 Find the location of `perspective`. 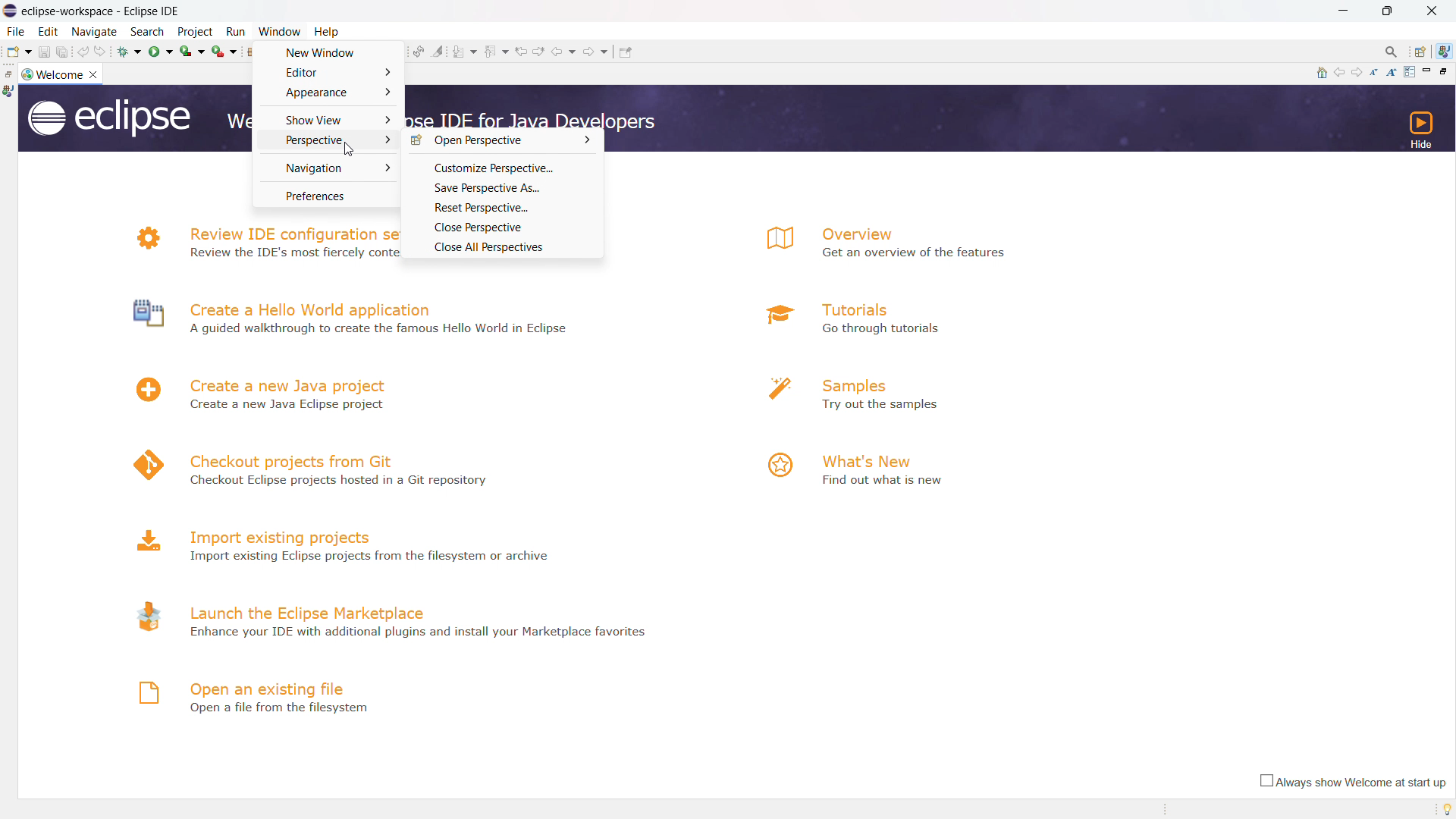

perspective is located at coordinates (326, 142).